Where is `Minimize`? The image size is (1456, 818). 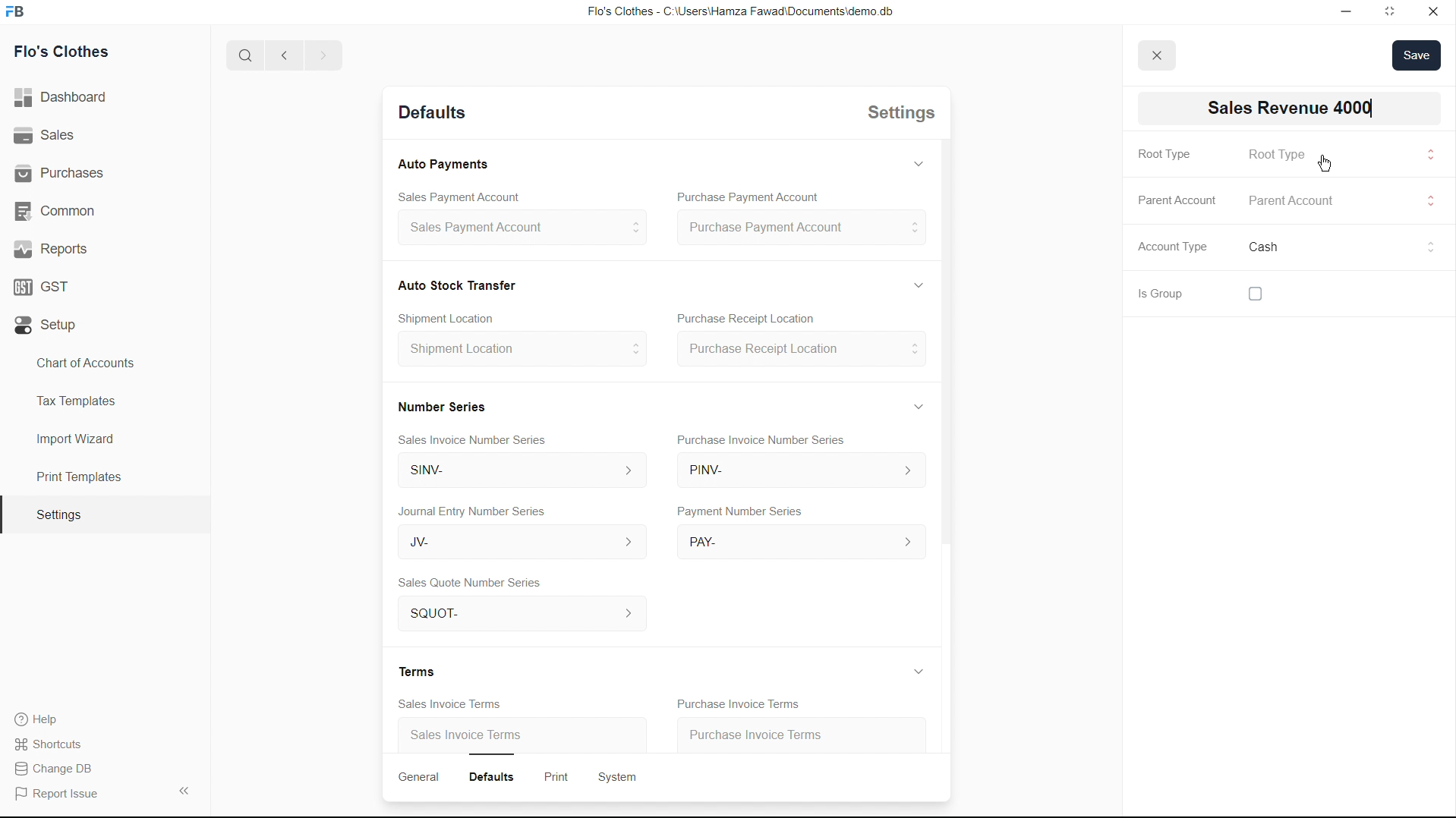
Minimize is located at coordinates (1343, 12).